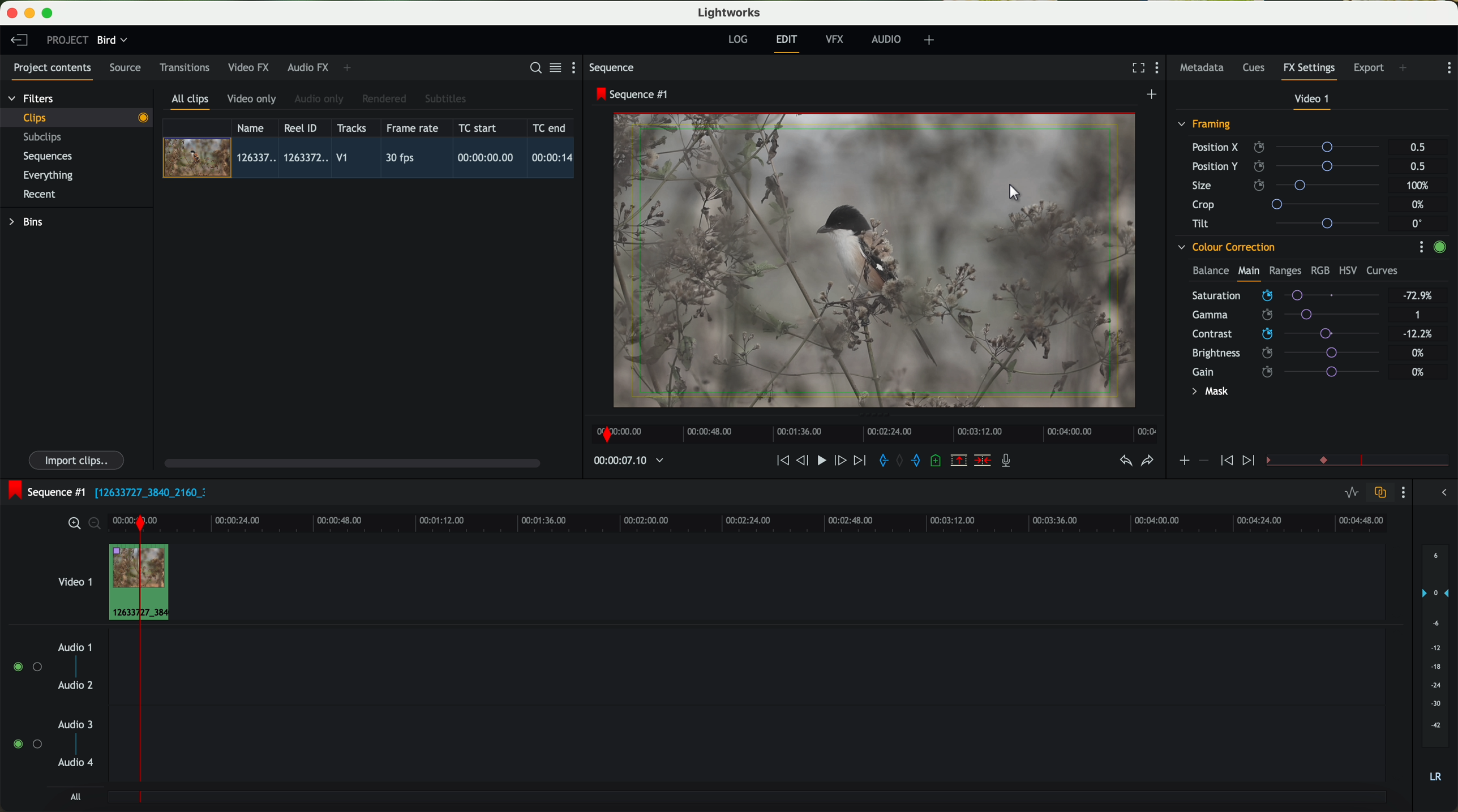  What do you see at coordinates (125, 68) in the screenshot?
I see `source` at bounding box center [125, 68].